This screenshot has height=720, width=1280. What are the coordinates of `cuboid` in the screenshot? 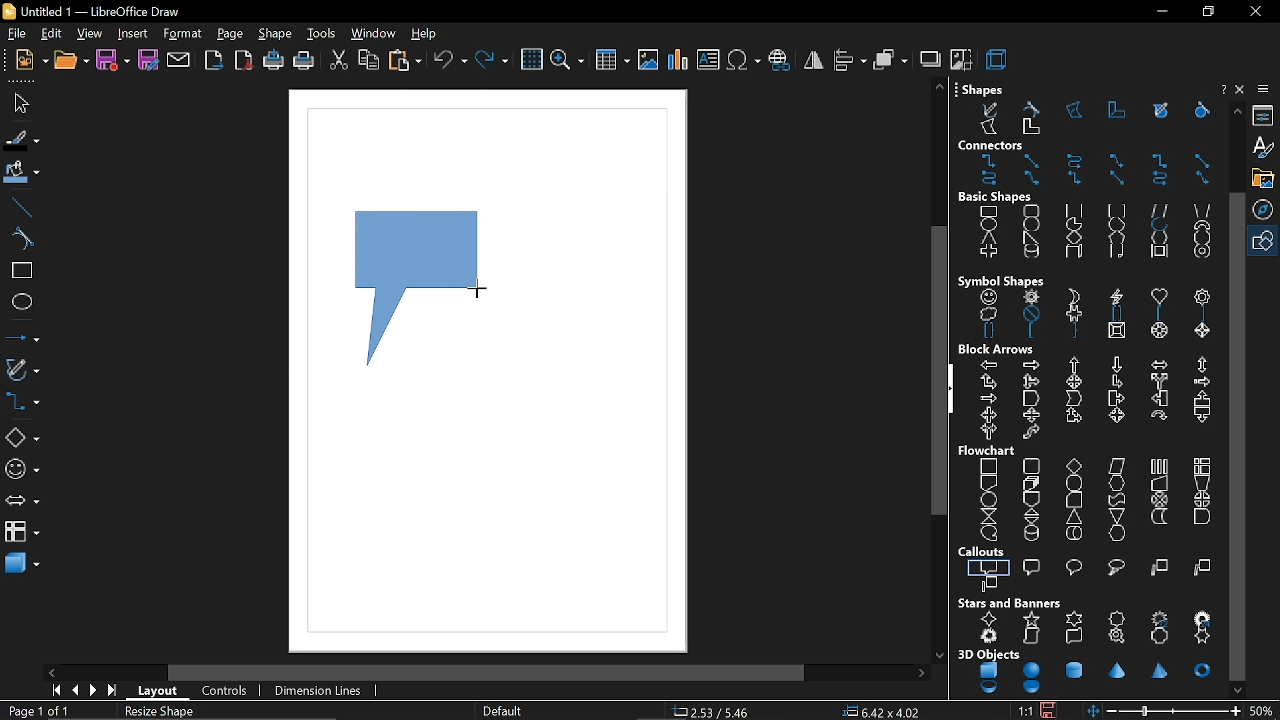 It's located at (1073, 254).